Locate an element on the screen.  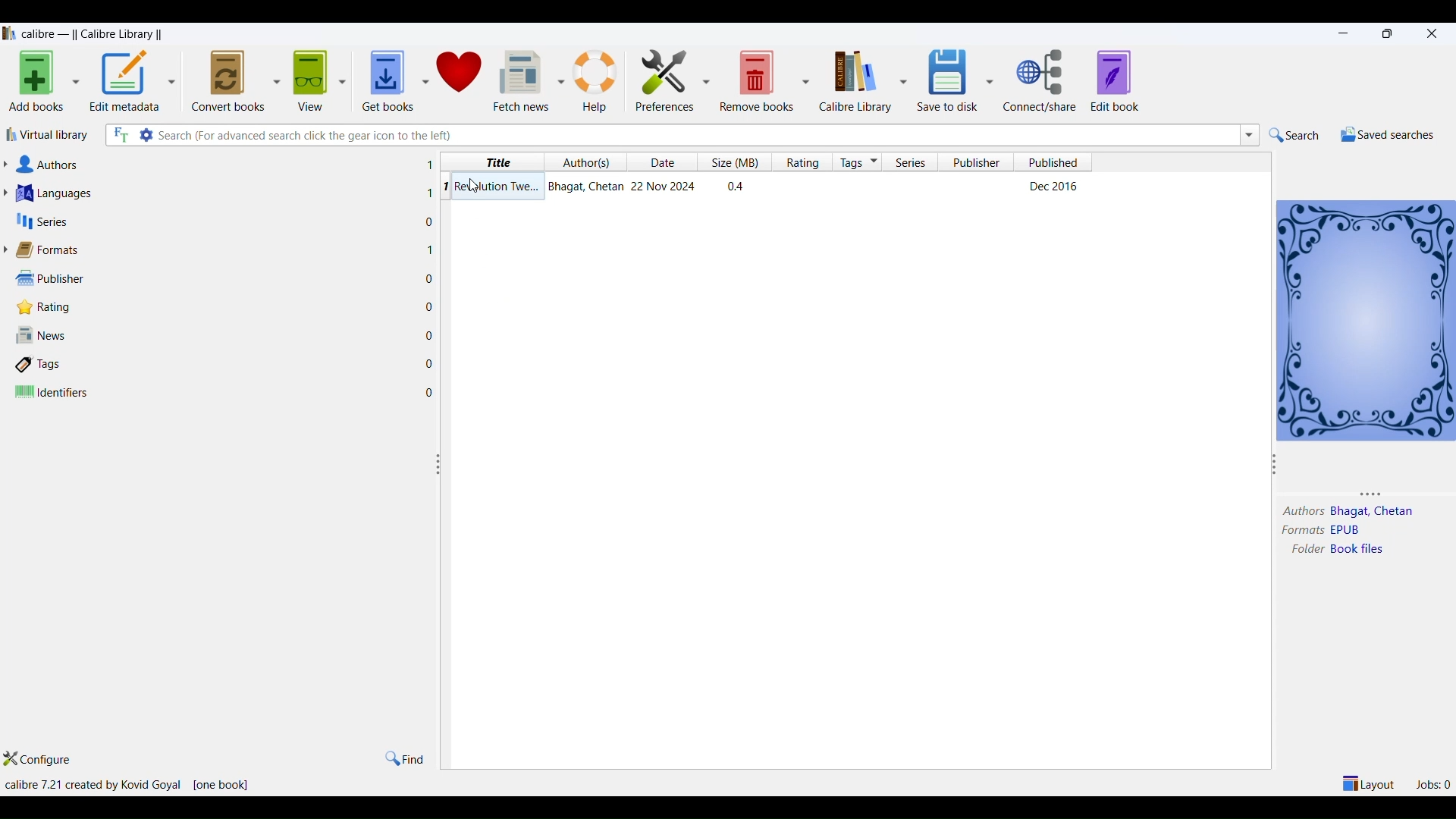
publisher is located at coordinates (981, 162).